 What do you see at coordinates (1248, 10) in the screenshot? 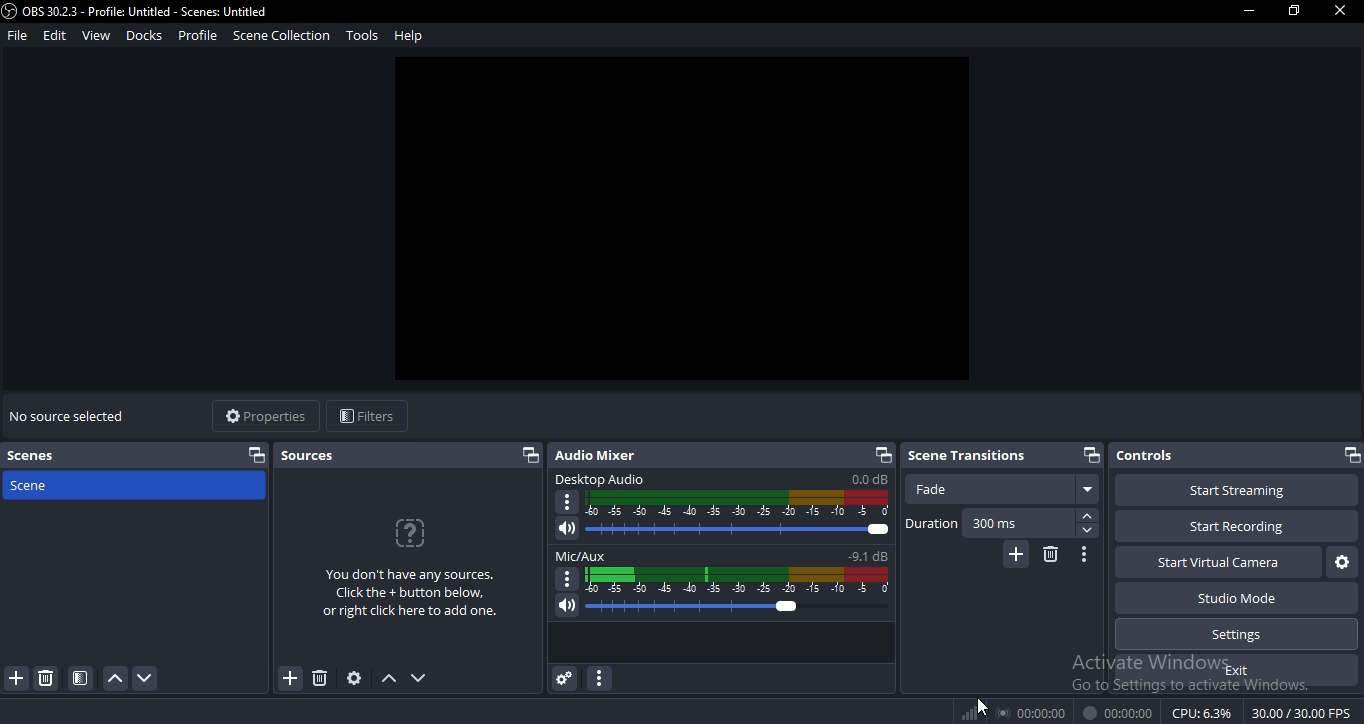
I see `minimize` at bounding box center [1248, 10].